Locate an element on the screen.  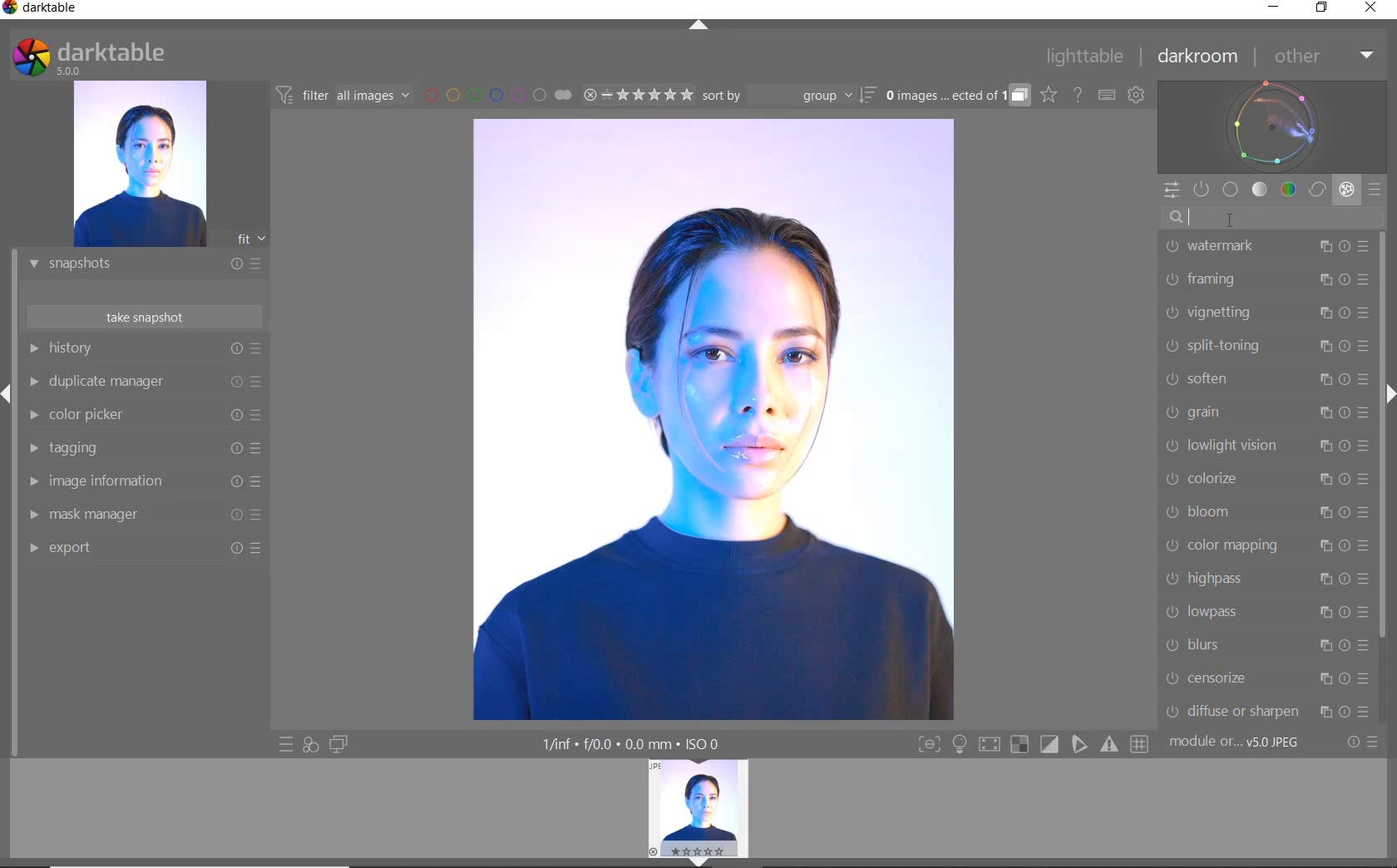
FRAMING is located at coordinates (1266, 279).